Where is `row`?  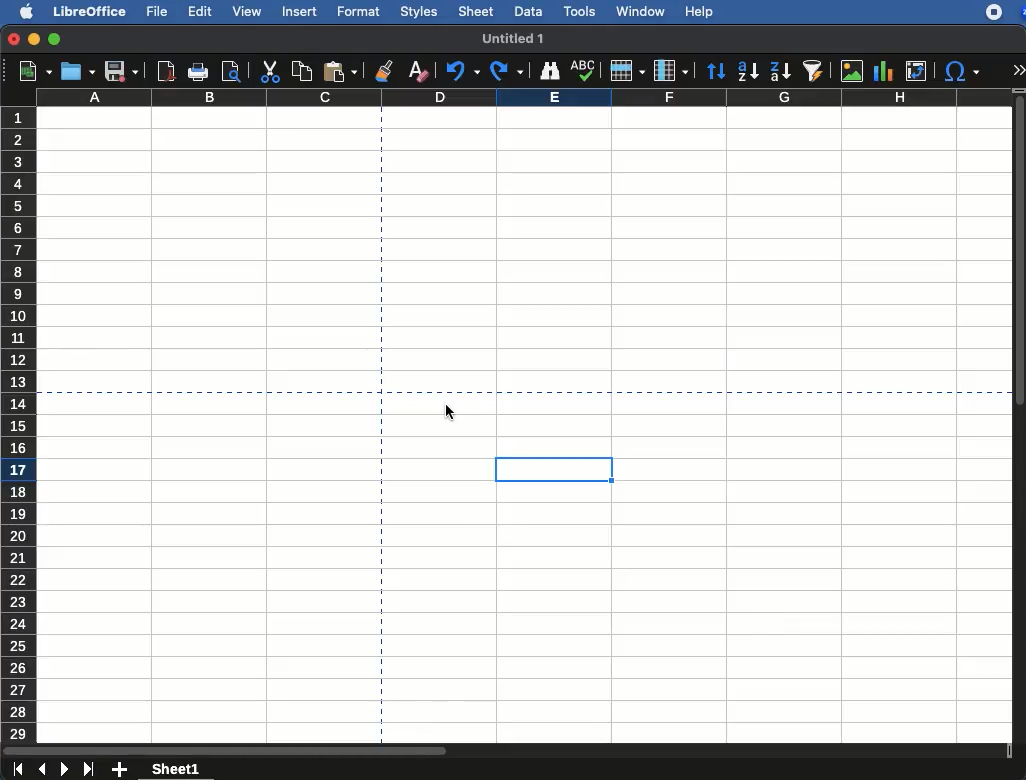 row is located at coordinates (627, 70).